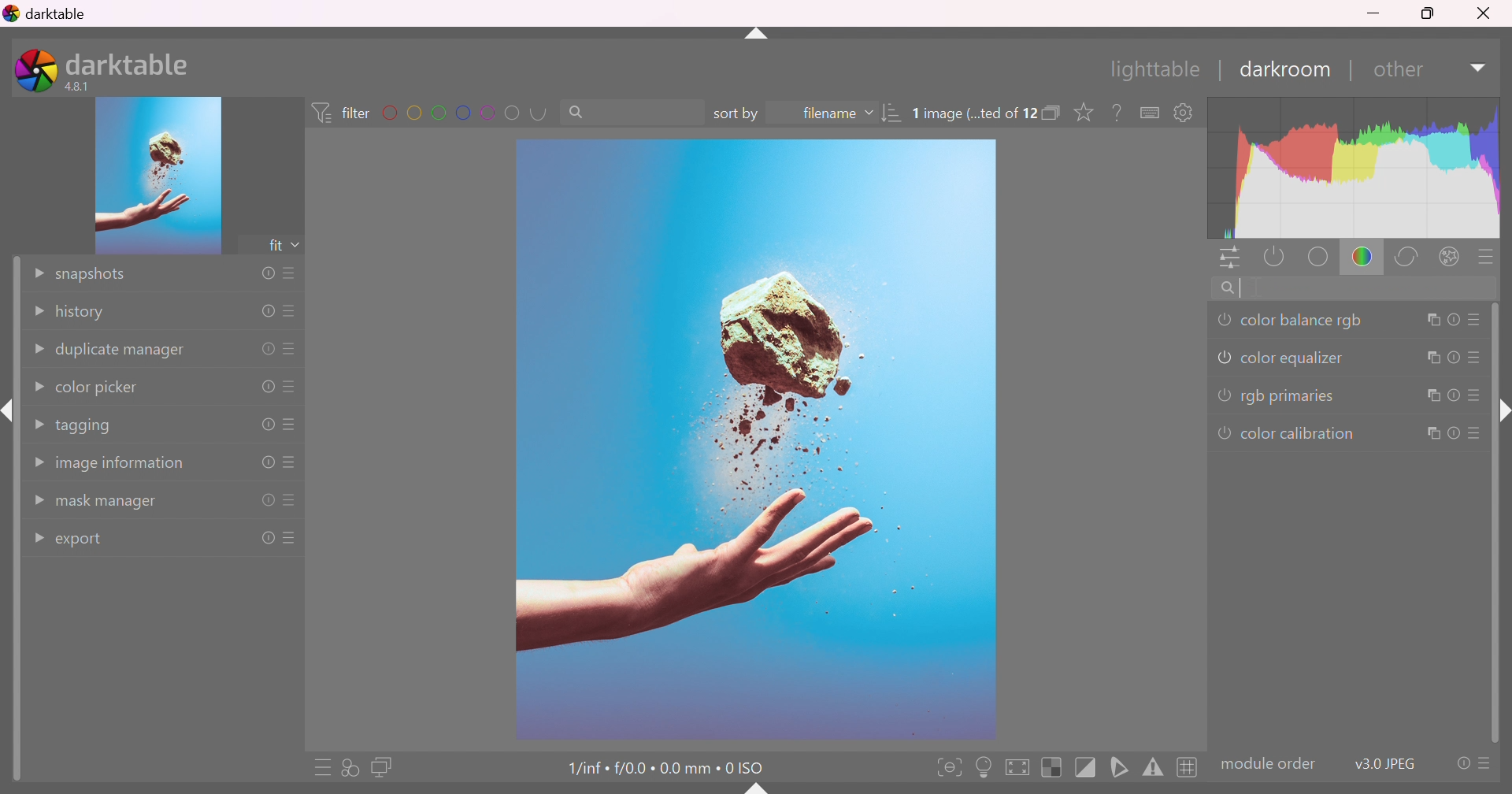  What do you see at coordinates (1117, 112) in the screenshot?
I see `enable this, then click on a control element to see its online help` at bounding box center [1117, 112].